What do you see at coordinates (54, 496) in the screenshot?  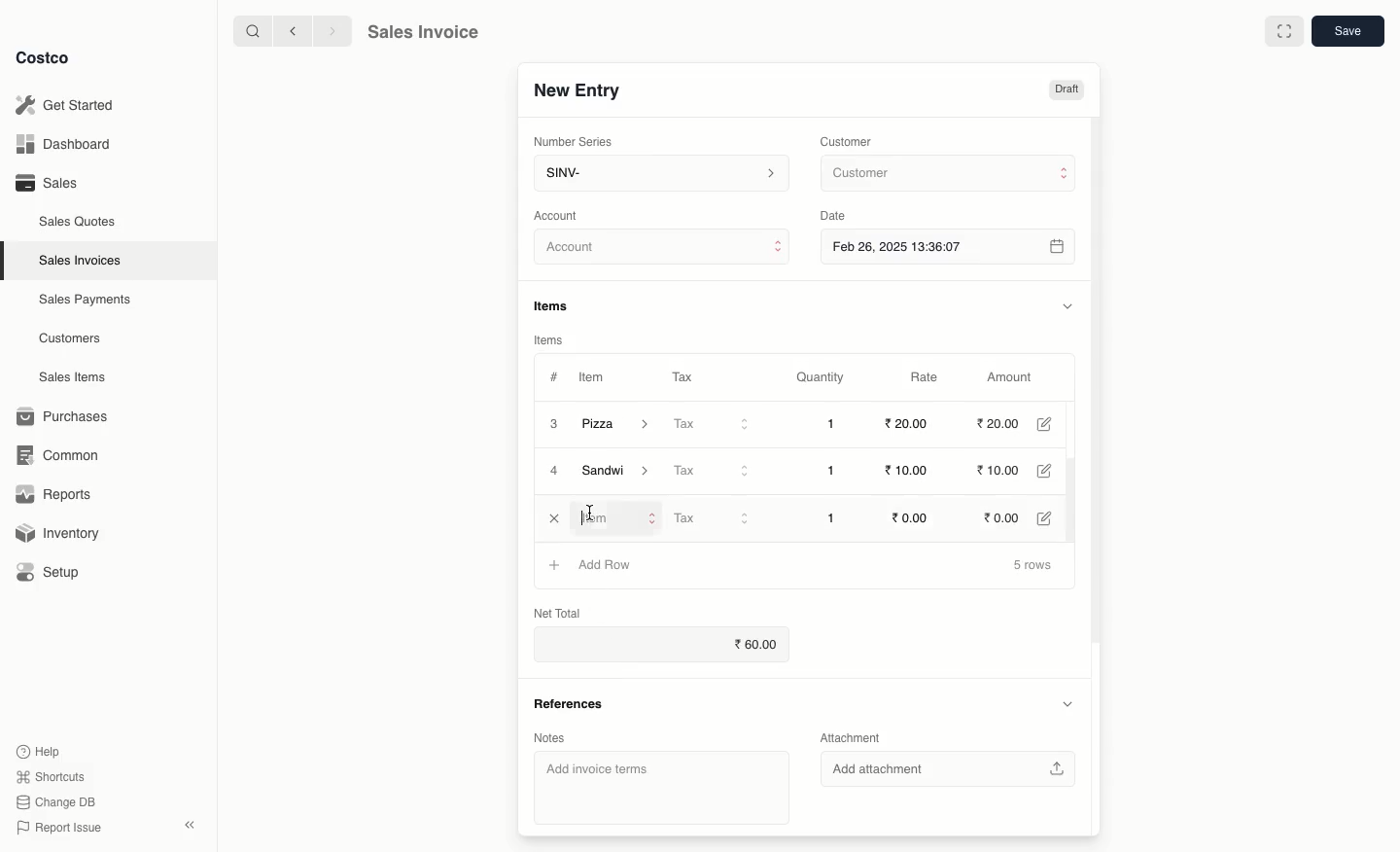 I see `Reports` at bounding box center [54, 496].